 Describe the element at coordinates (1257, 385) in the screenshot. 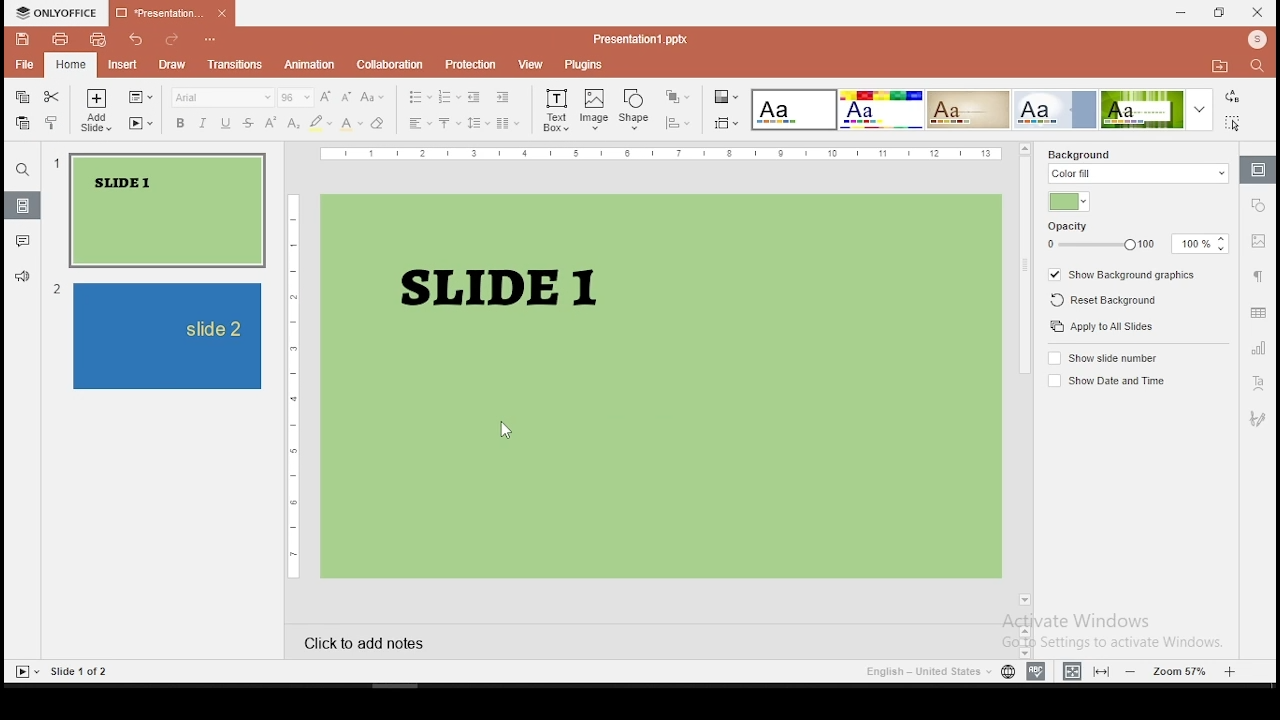

I see `text art settings` at that location.